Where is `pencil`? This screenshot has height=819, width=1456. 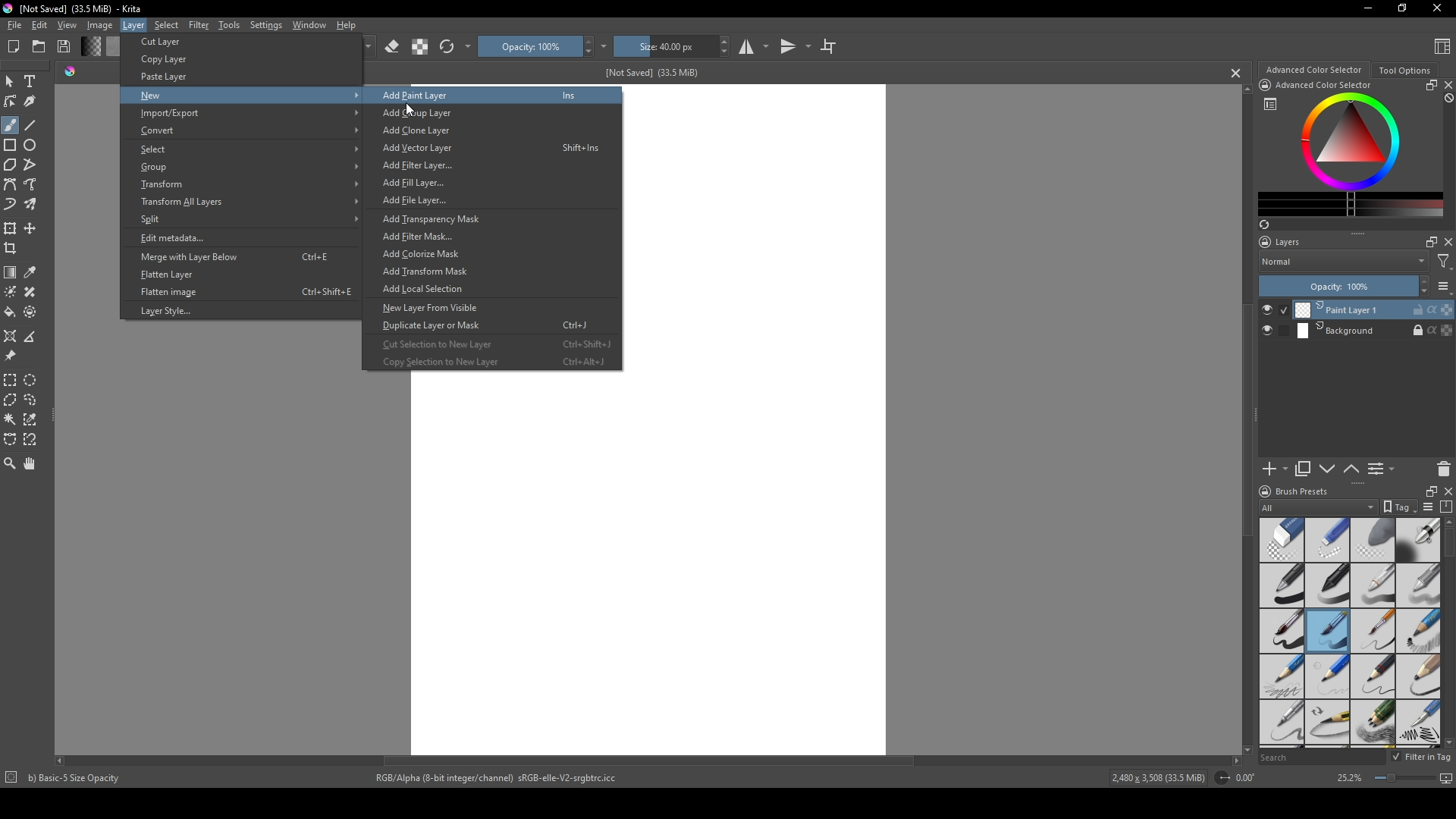
pencil is located at coordinates (1373, 676).